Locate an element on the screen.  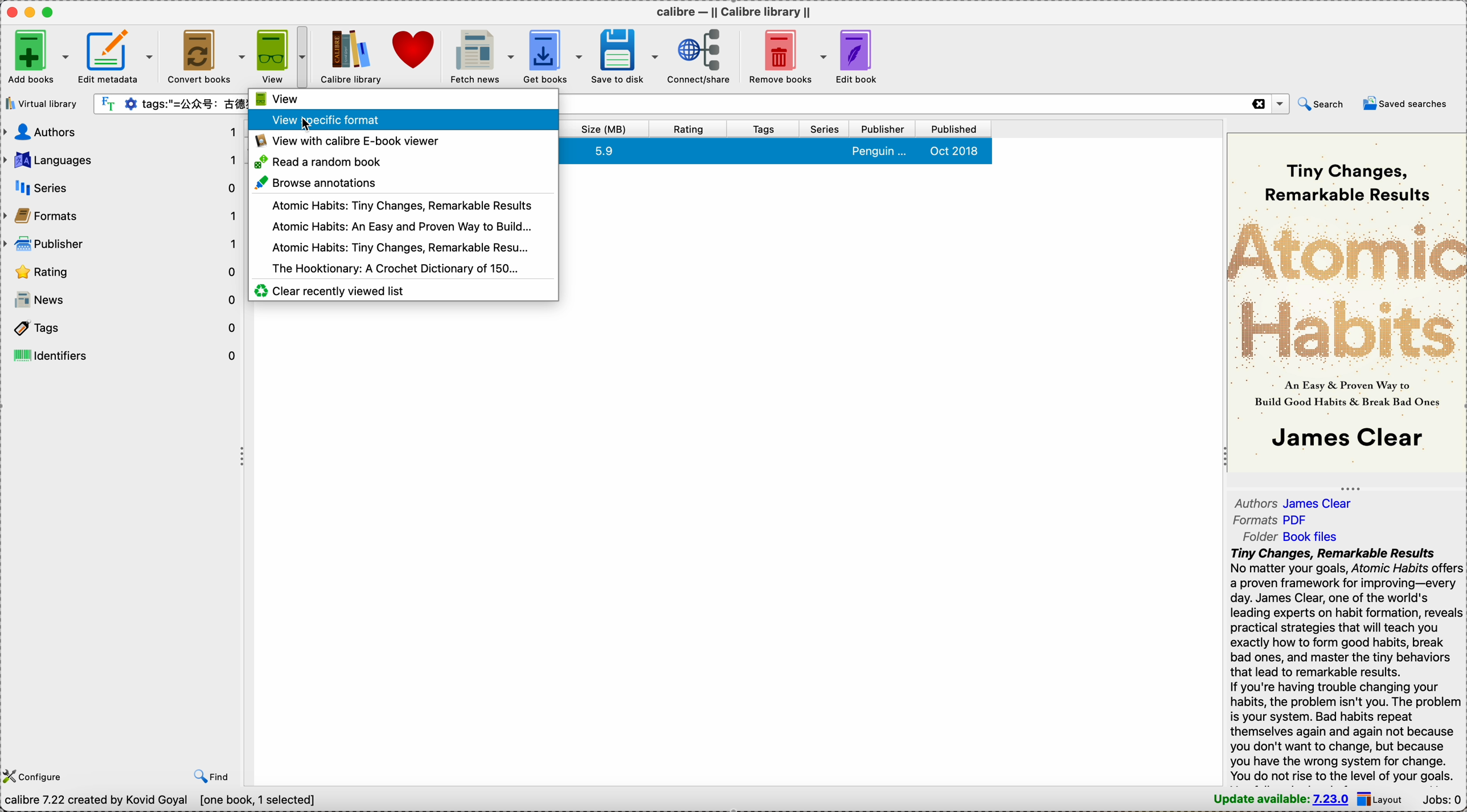
clear recently viewed list is located at coordinates (330, 290).